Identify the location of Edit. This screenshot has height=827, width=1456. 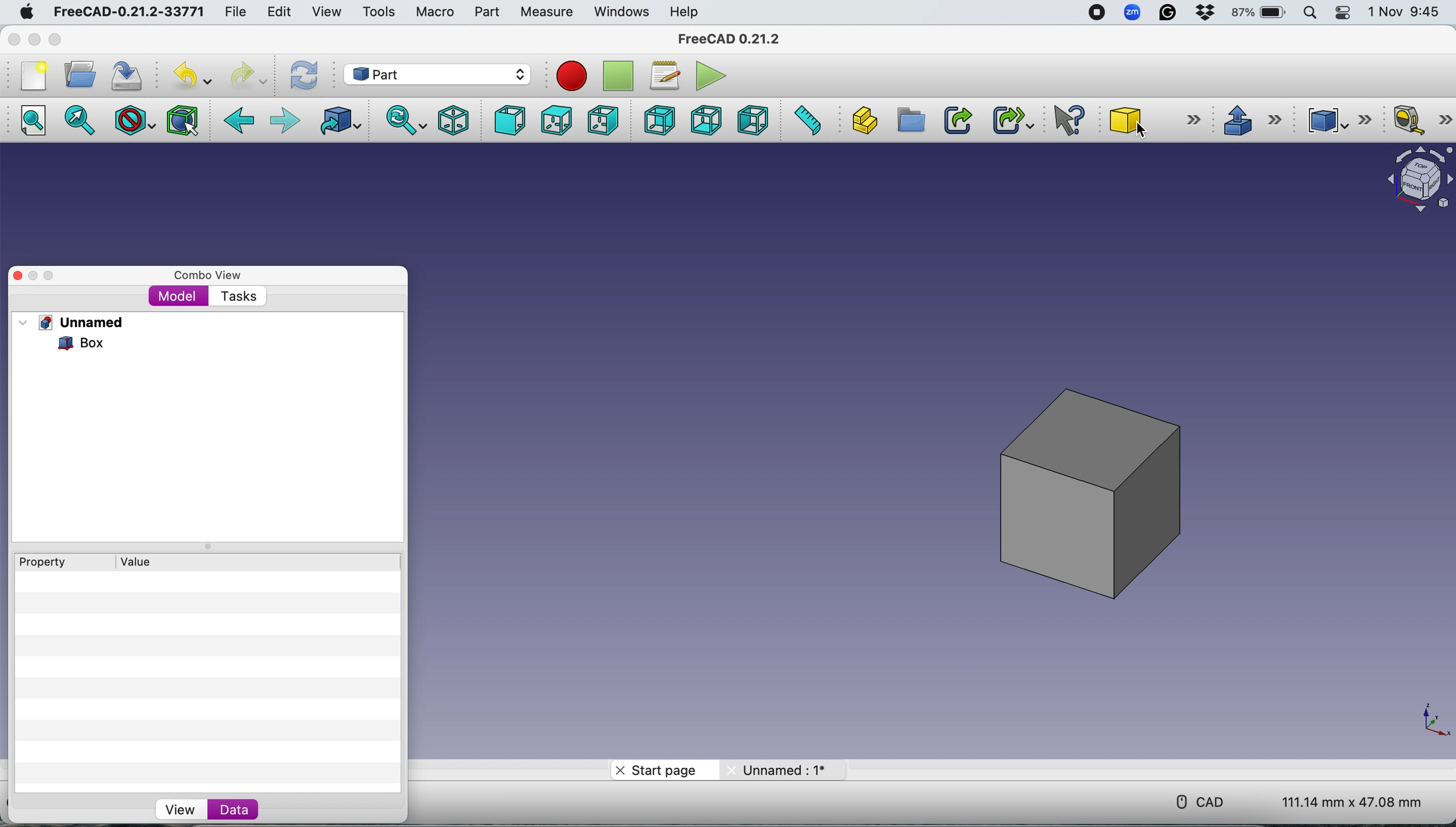
(277, 12).